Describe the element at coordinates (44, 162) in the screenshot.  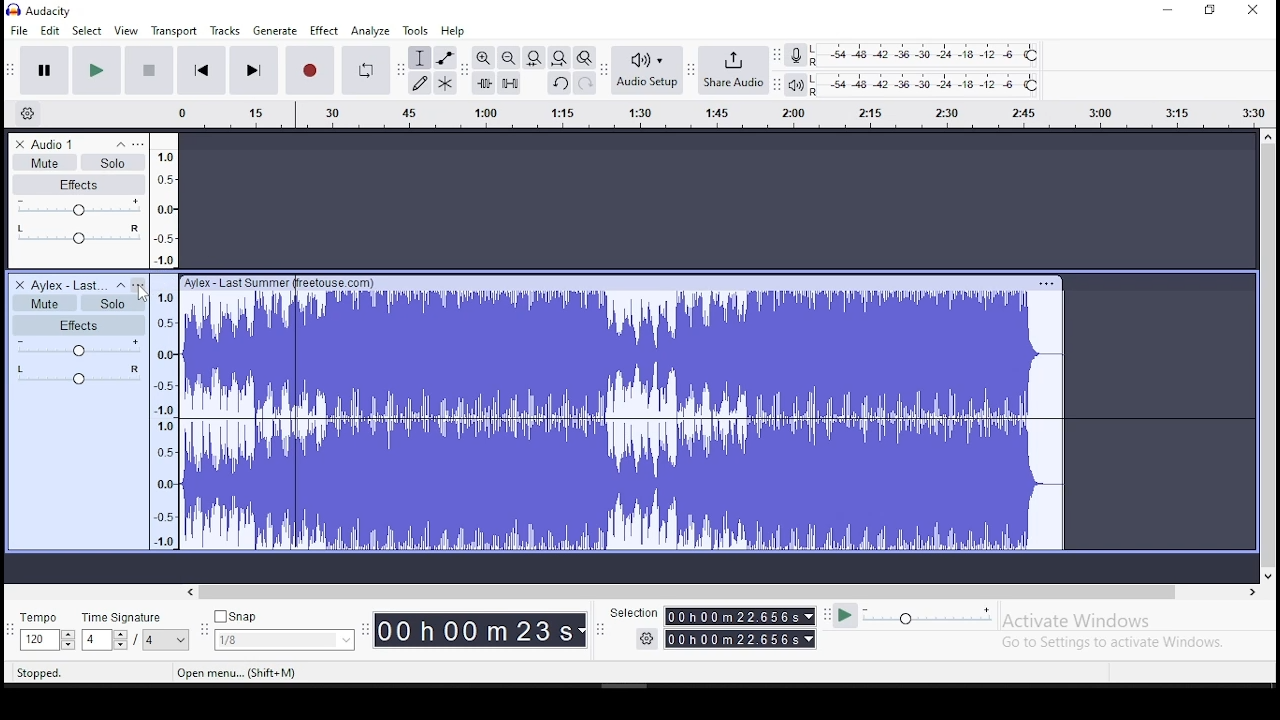
I see `mute` at that location.